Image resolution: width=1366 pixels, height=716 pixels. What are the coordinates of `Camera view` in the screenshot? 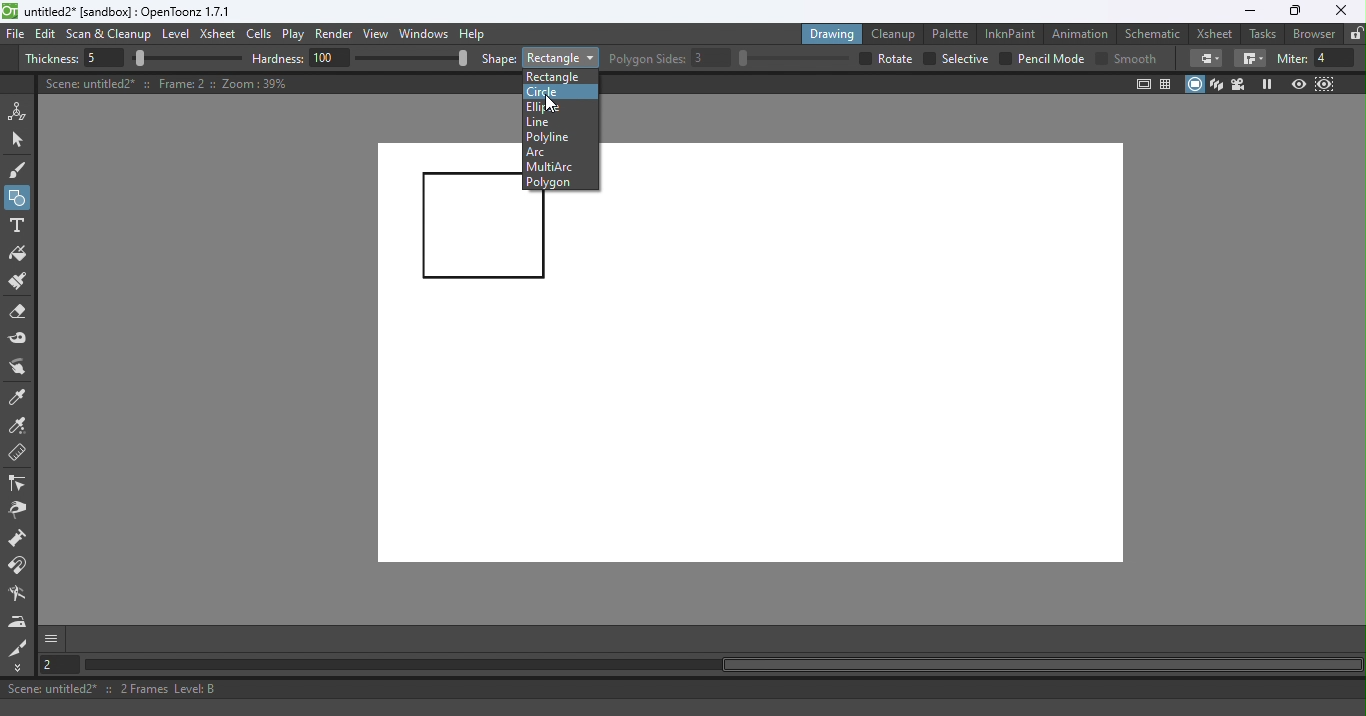 It's located at (1241, 83).